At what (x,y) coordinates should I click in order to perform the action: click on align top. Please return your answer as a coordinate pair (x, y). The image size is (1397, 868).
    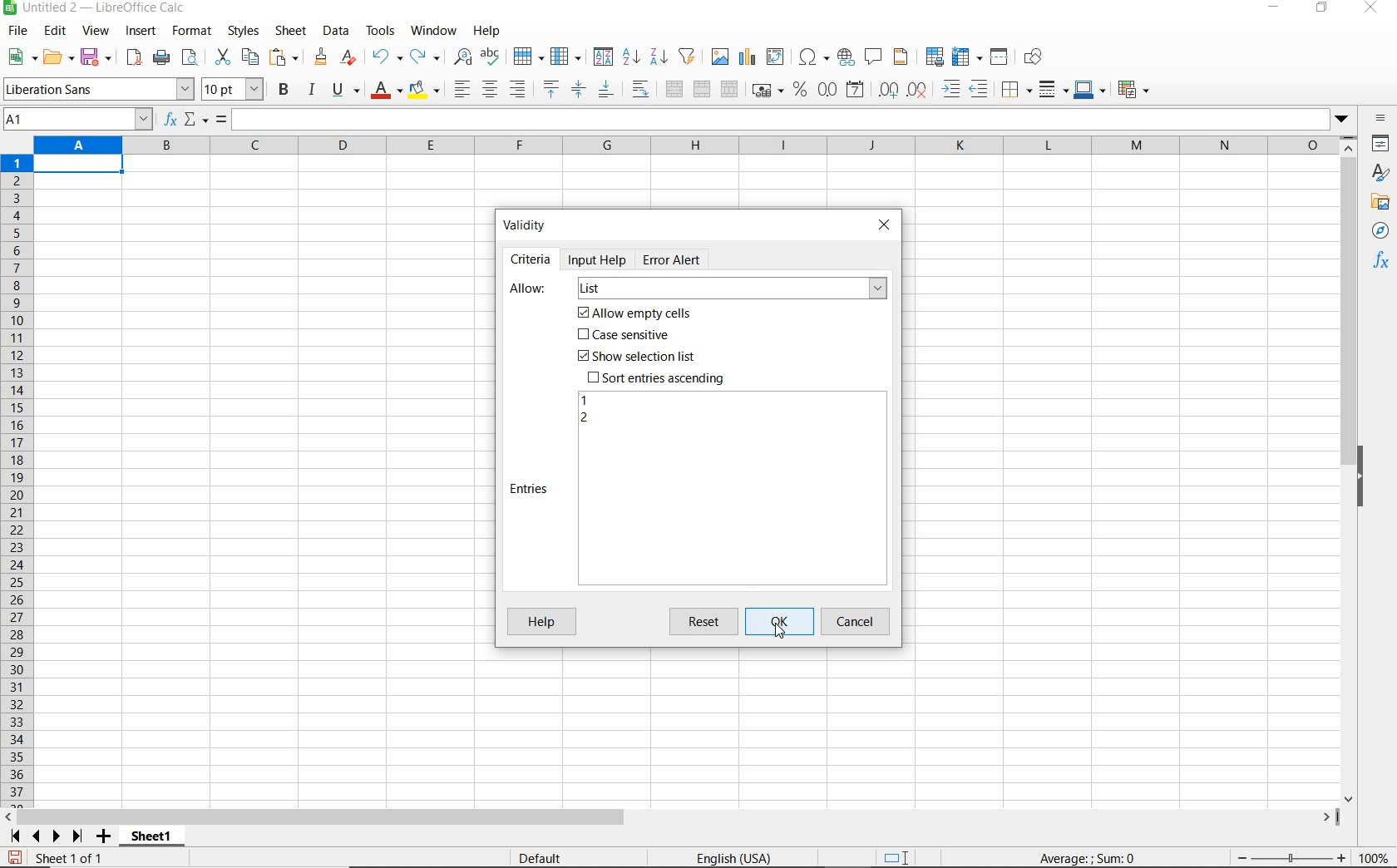
    Looking at the image, I should click on (550, 90).